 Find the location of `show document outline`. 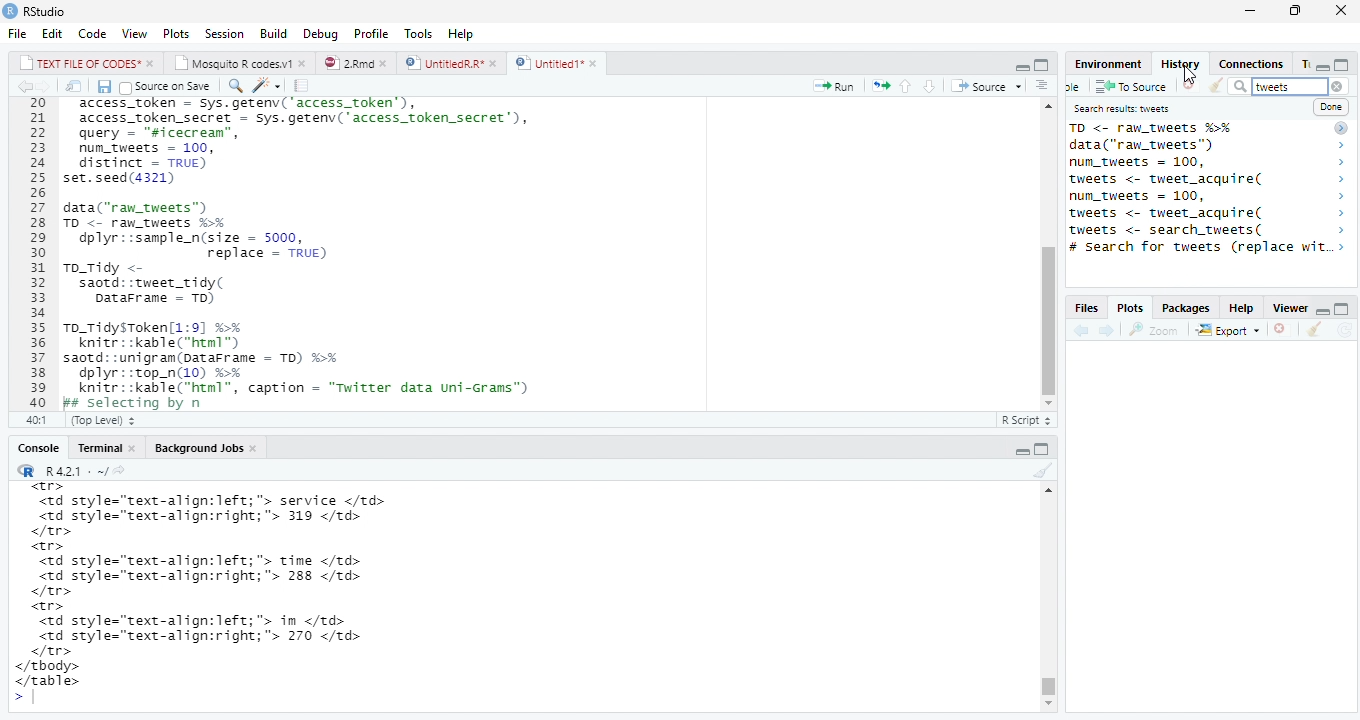

show document outline is located at coordinates (1046, 84).